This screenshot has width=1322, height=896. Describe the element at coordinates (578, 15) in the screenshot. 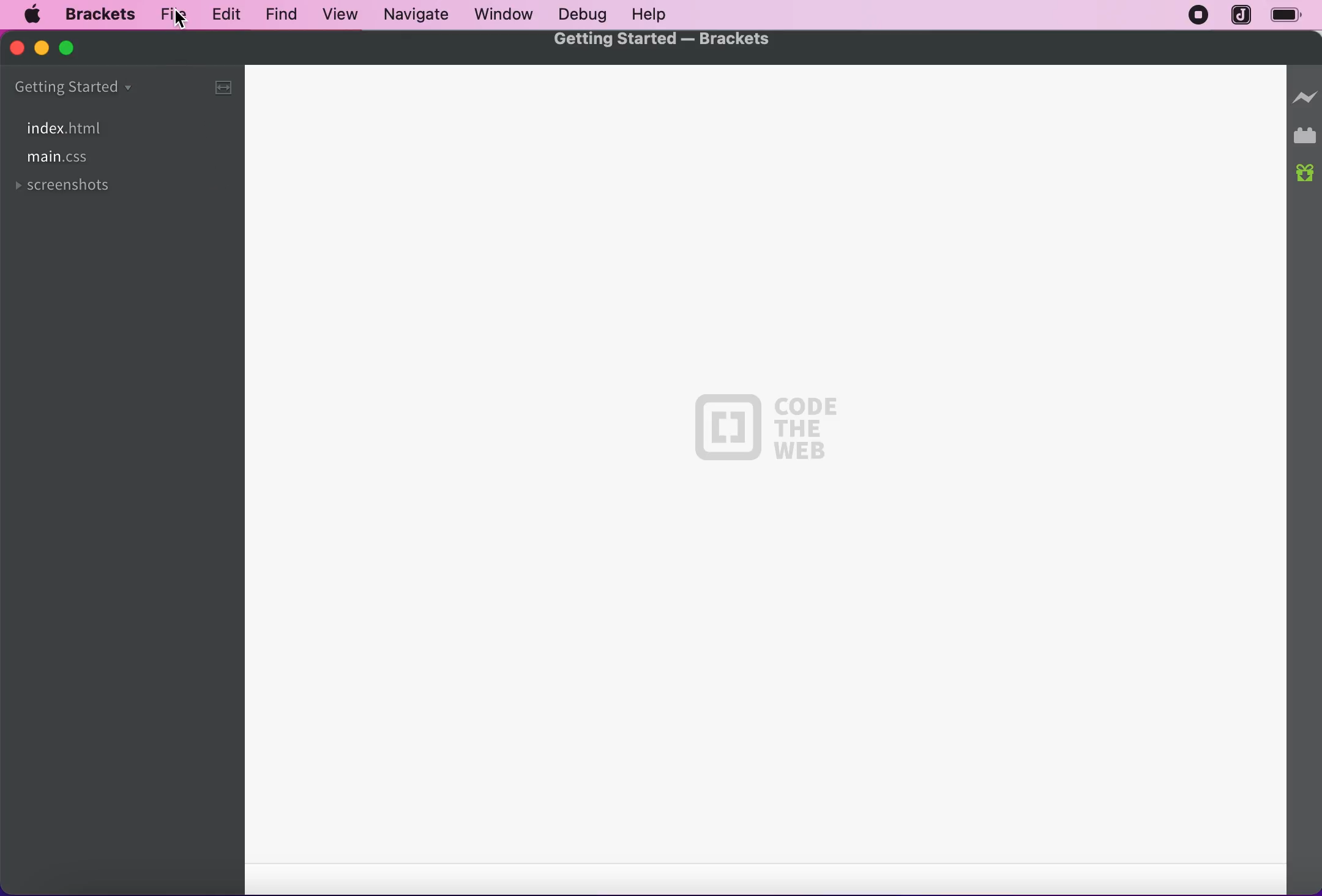

I see `debug` at that location.